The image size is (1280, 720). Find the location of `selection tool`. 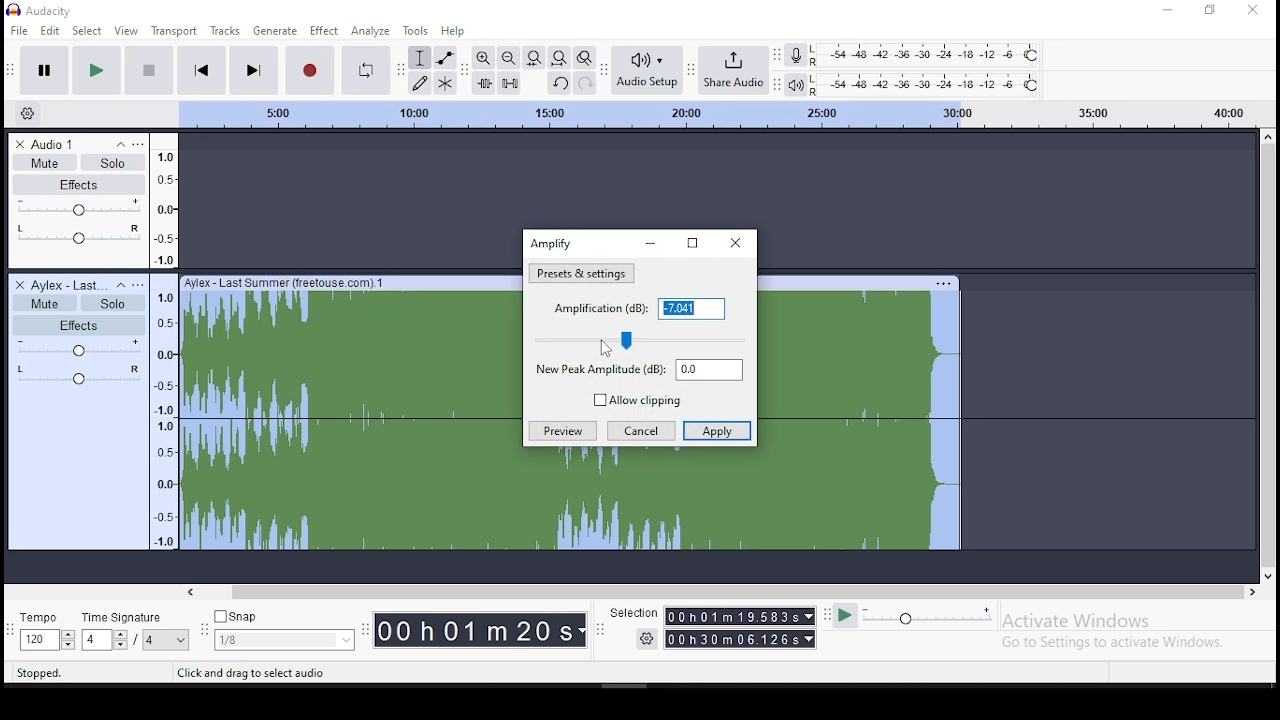

selection tool is located at coordinates (419, 58).